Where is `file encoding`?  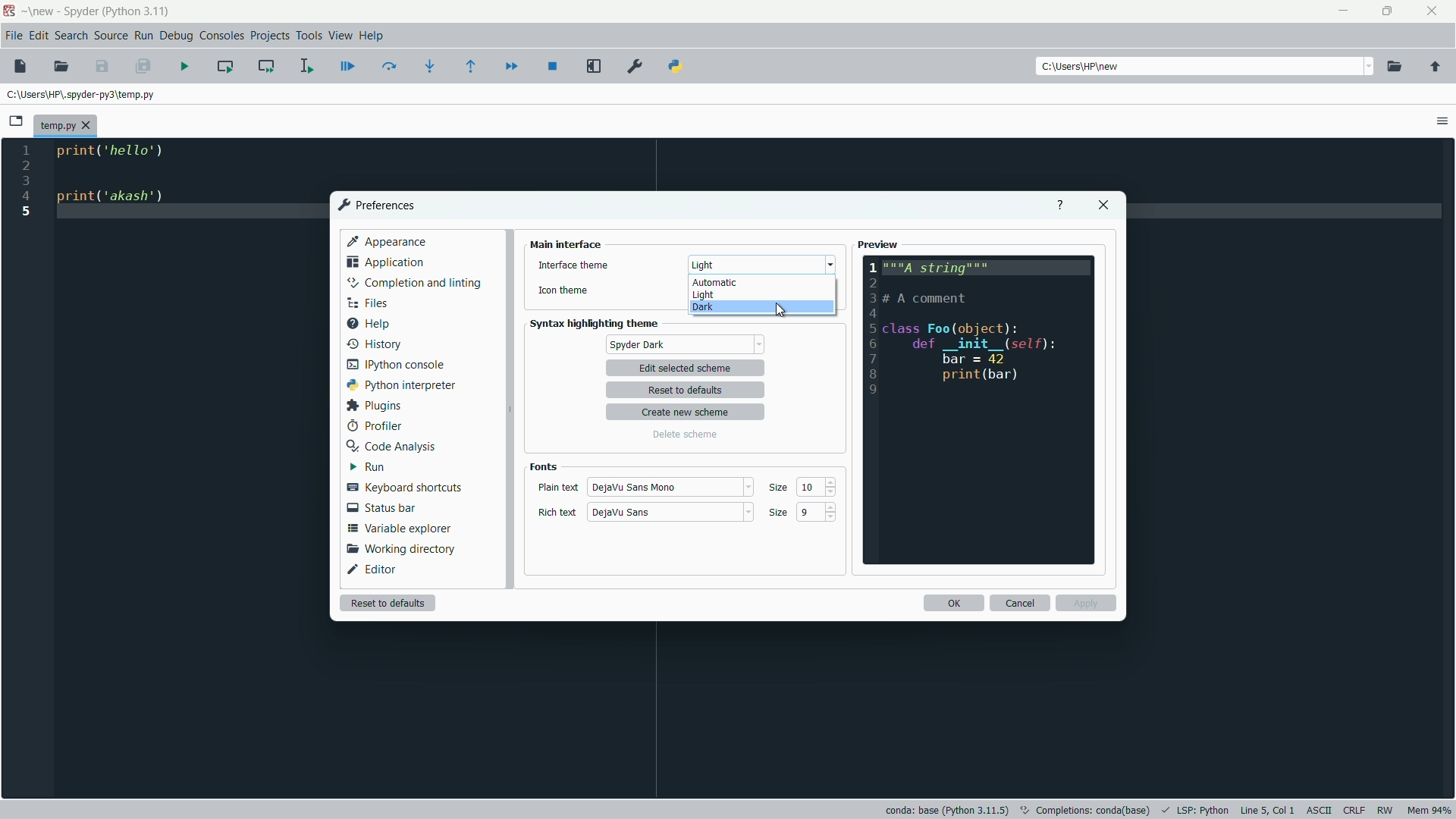 file encoding is located at coordinates (1318, 811).